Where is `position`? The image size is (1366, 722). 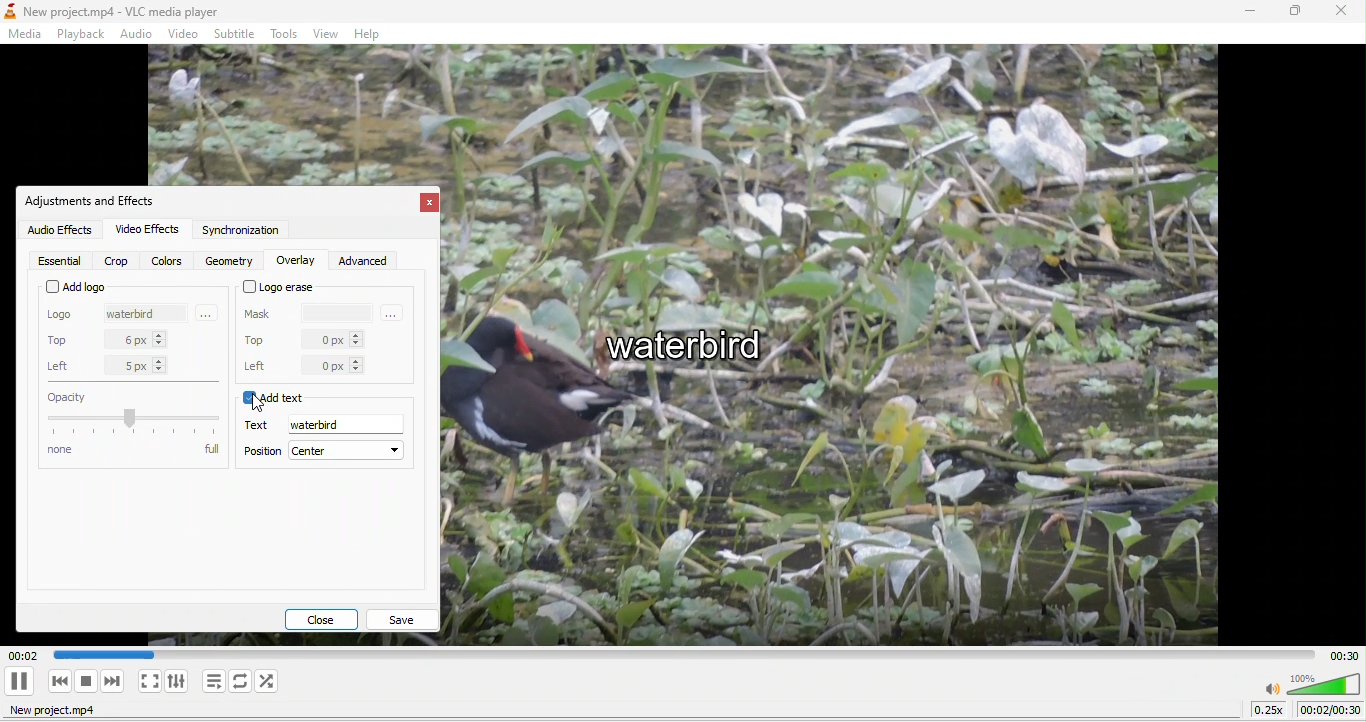
position is located at coordinates (263, 450).